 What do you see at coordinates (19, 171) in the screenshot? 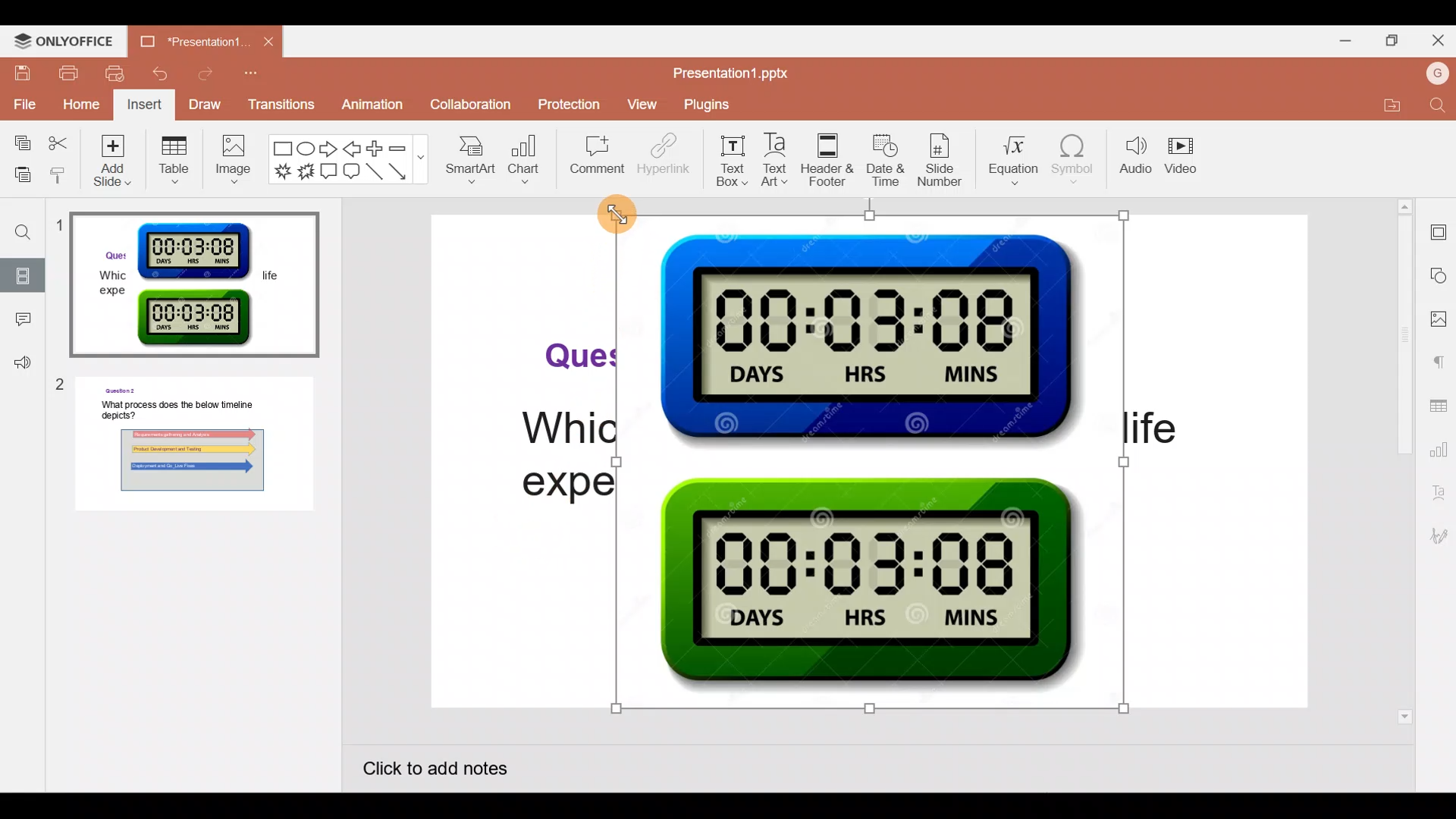
I see `Paste` at bounding box center [19, 171].